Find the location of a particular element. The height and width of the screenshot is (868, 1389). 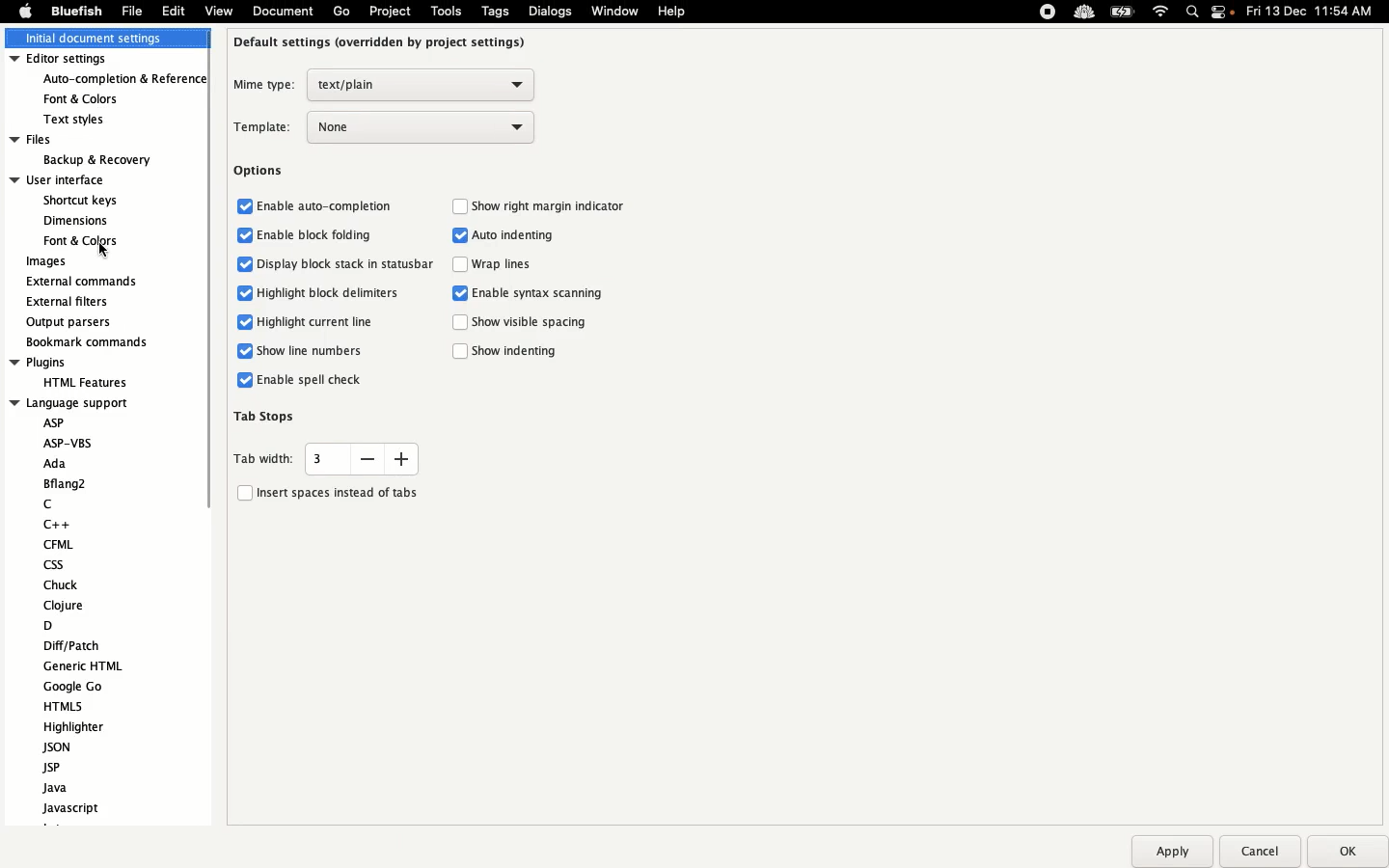

Search is located at coordinates (1193, 14).